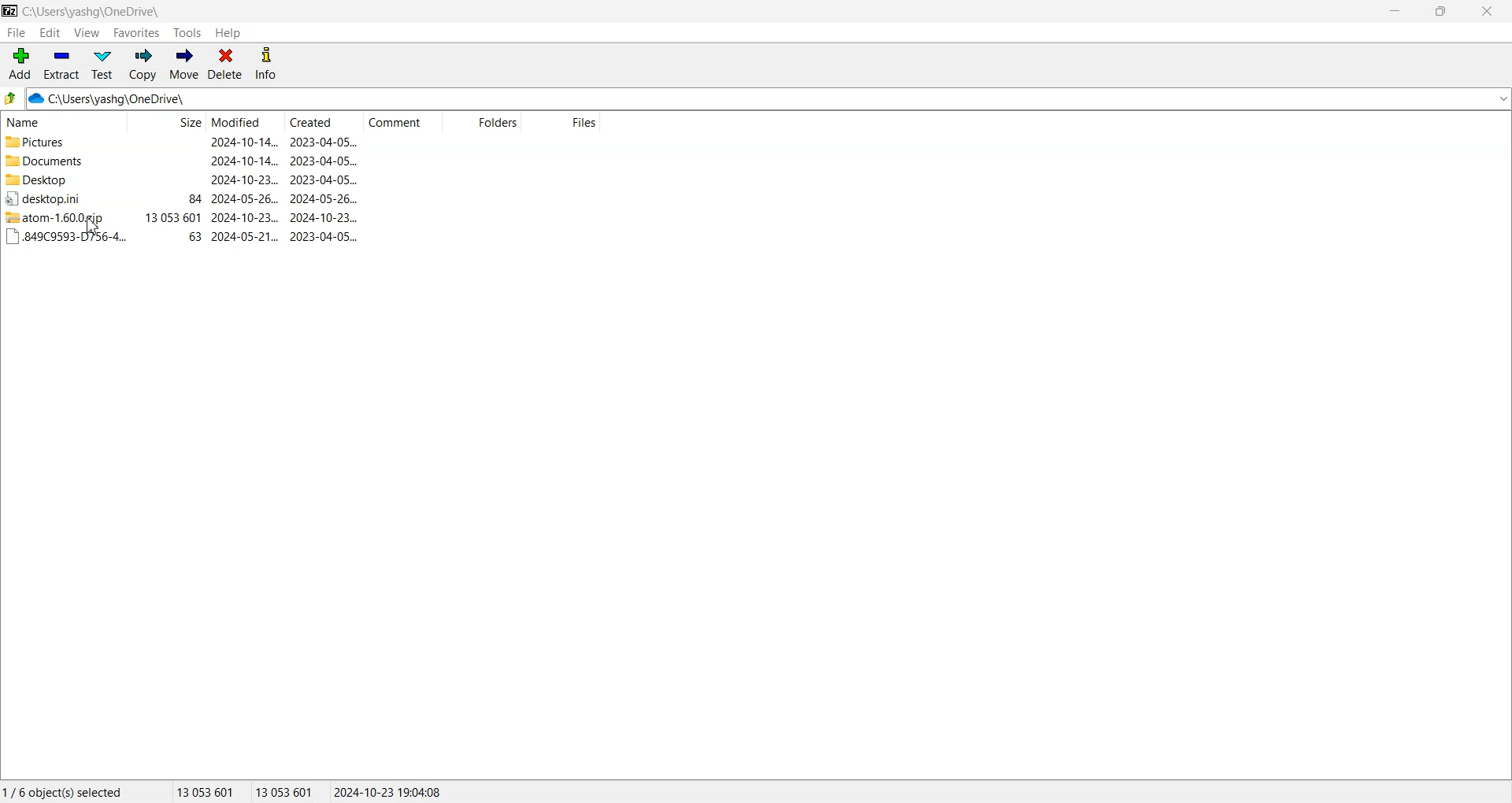 Image resolution: width=1512 pixels, height=803 pixels. I want to click on View, so click(86, 32).